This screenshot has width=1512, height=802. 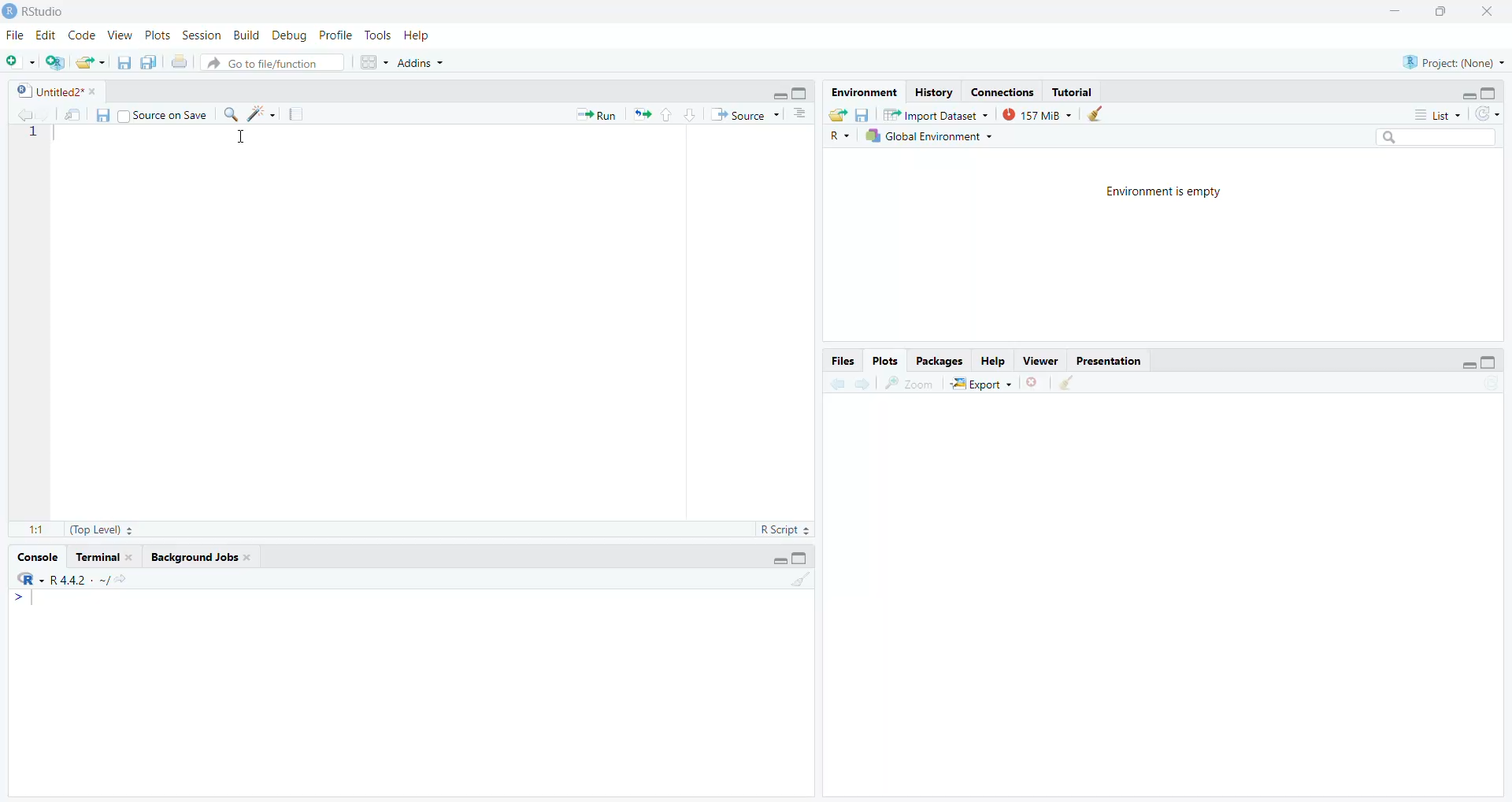 I want to click on go forward to next source location, so click(x=46, y=114).